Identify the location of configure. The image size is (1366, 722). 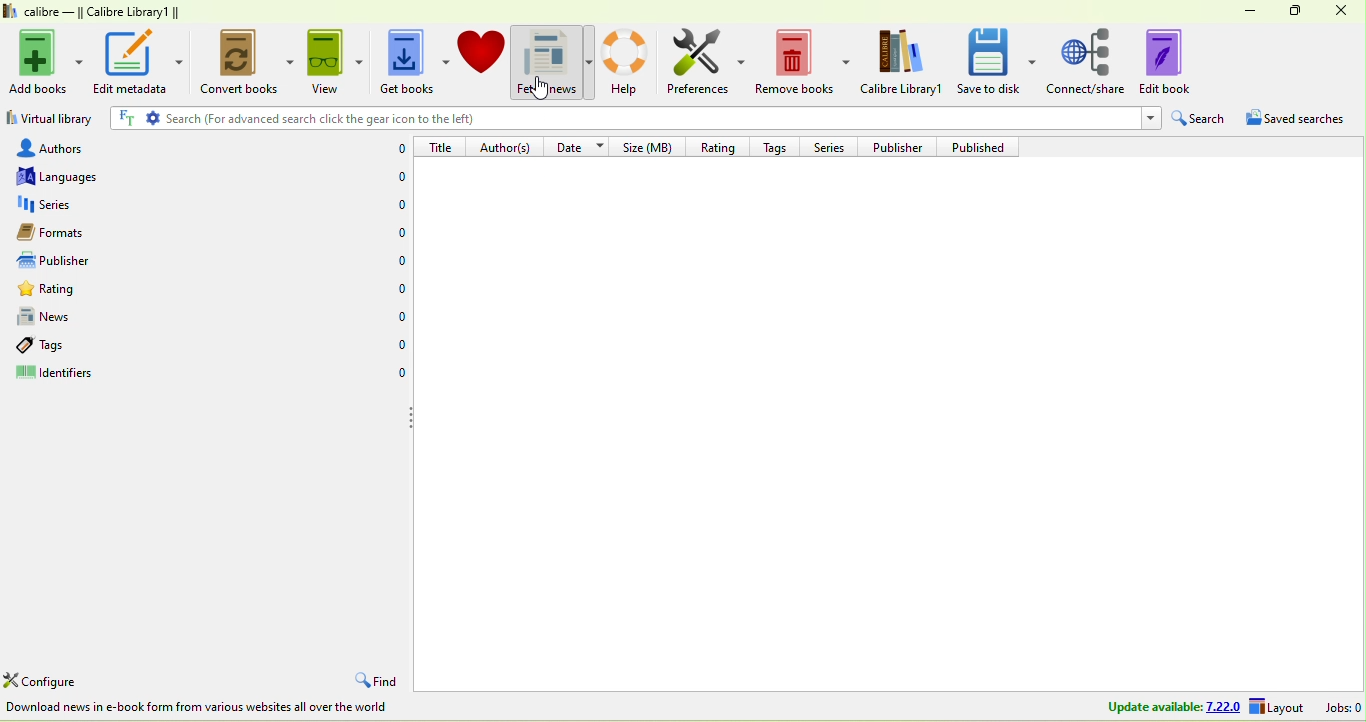
(46, 680).